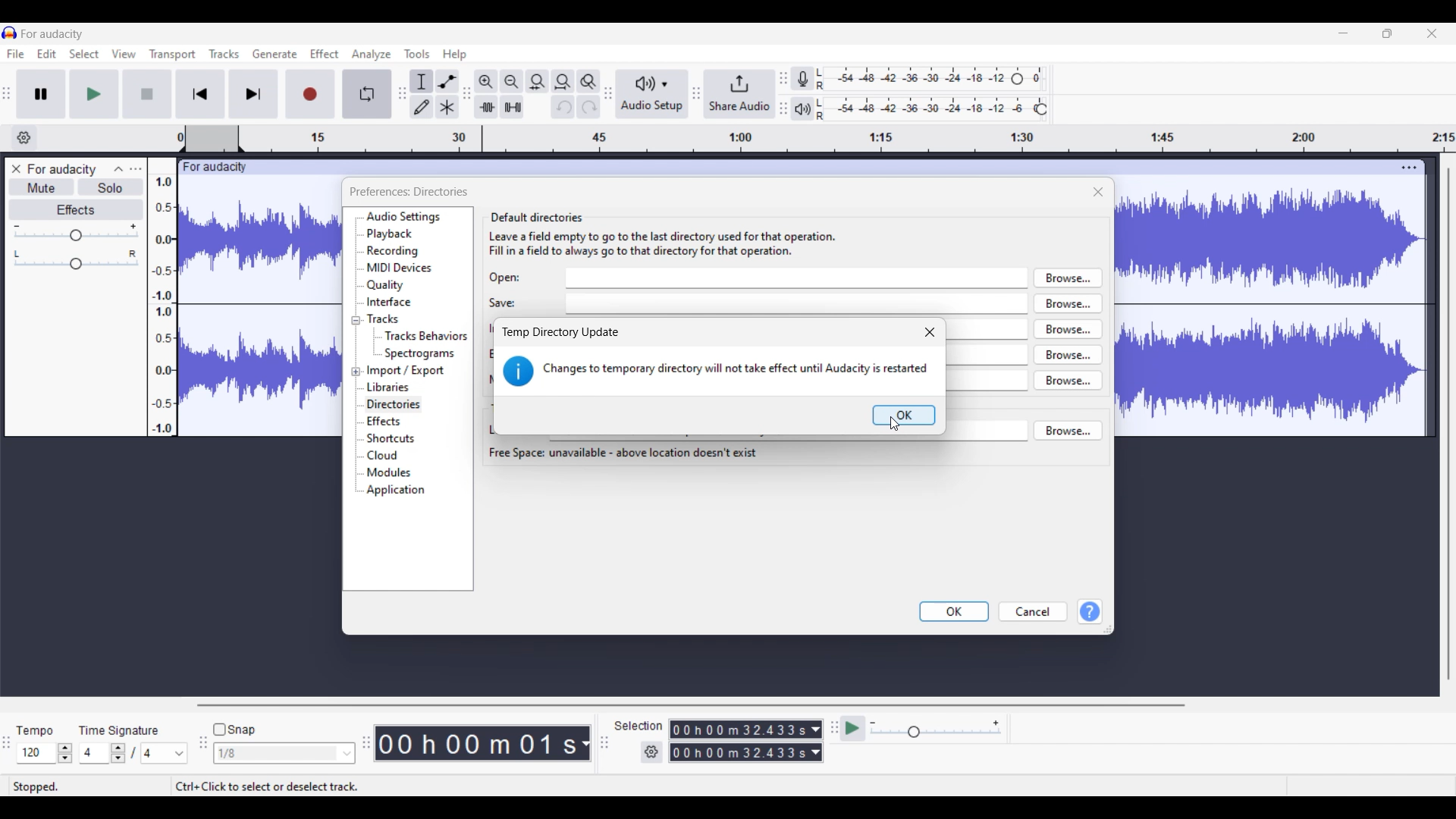  What do you see at coordinates (476, 743) in the screenshot?
I see `Current timestamp of track` at bounding box center [476, 743].